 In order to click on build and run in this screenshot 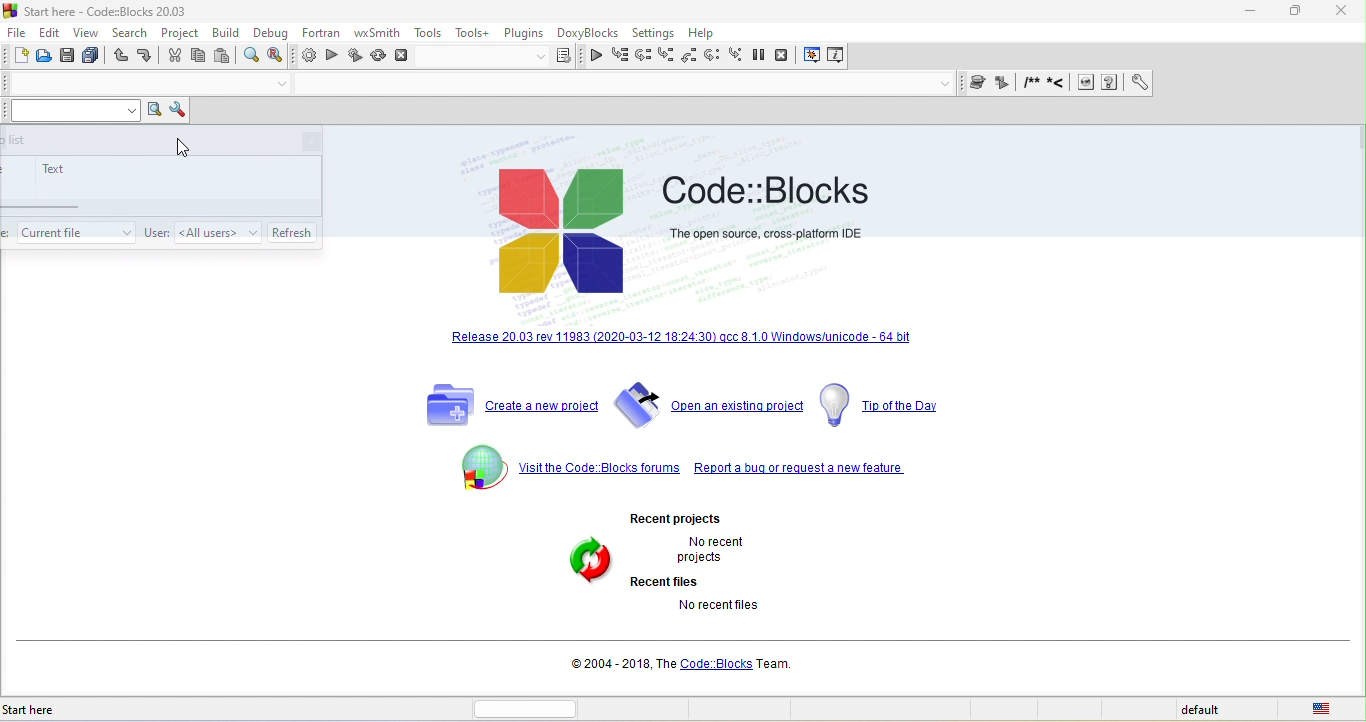, I will do `click(355, 58)`.